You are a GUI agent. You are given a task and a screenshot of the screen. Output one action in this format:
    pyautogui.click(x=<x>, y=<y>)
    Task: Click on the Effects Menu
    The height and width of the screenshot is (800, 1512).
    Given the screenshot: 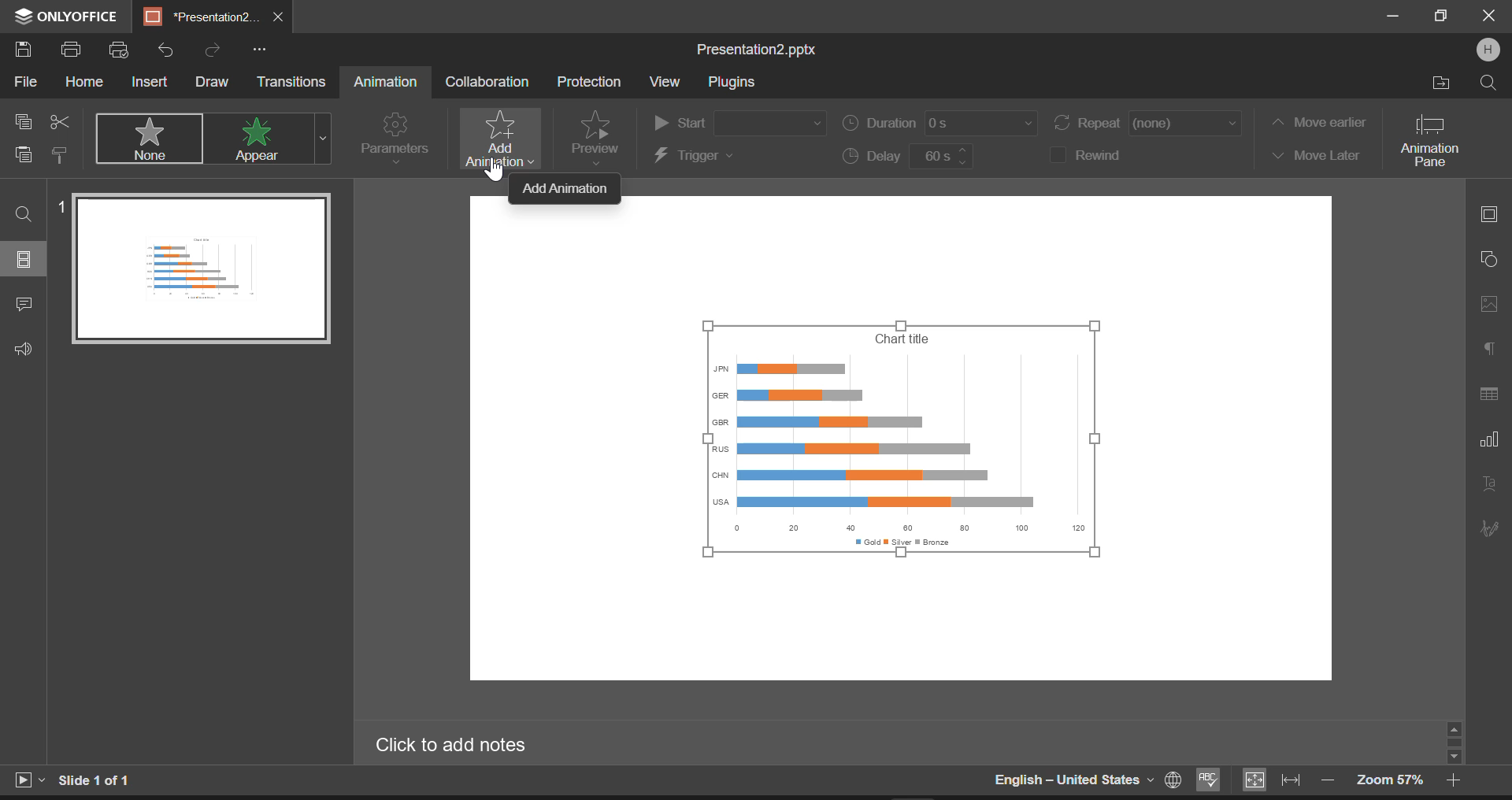 What is the action you would take?
    pyautogui.click(x=323, y=139)
    